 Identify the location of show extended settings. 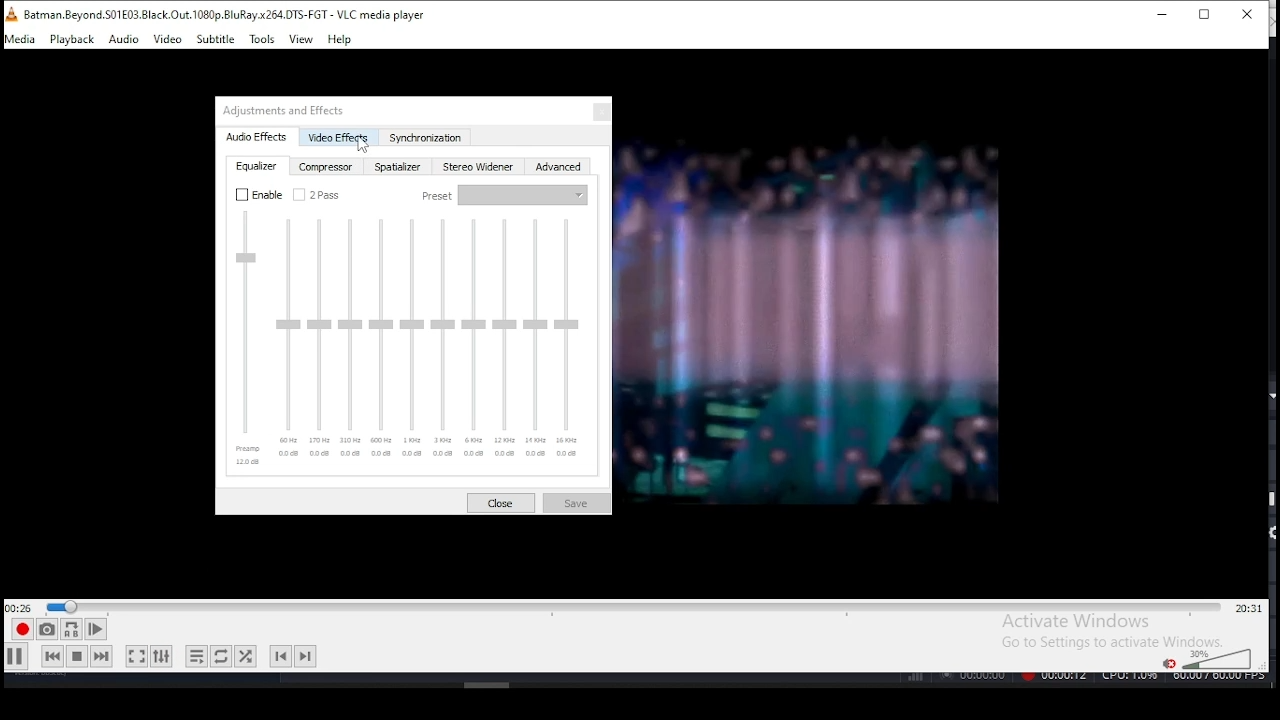
(163, 657).